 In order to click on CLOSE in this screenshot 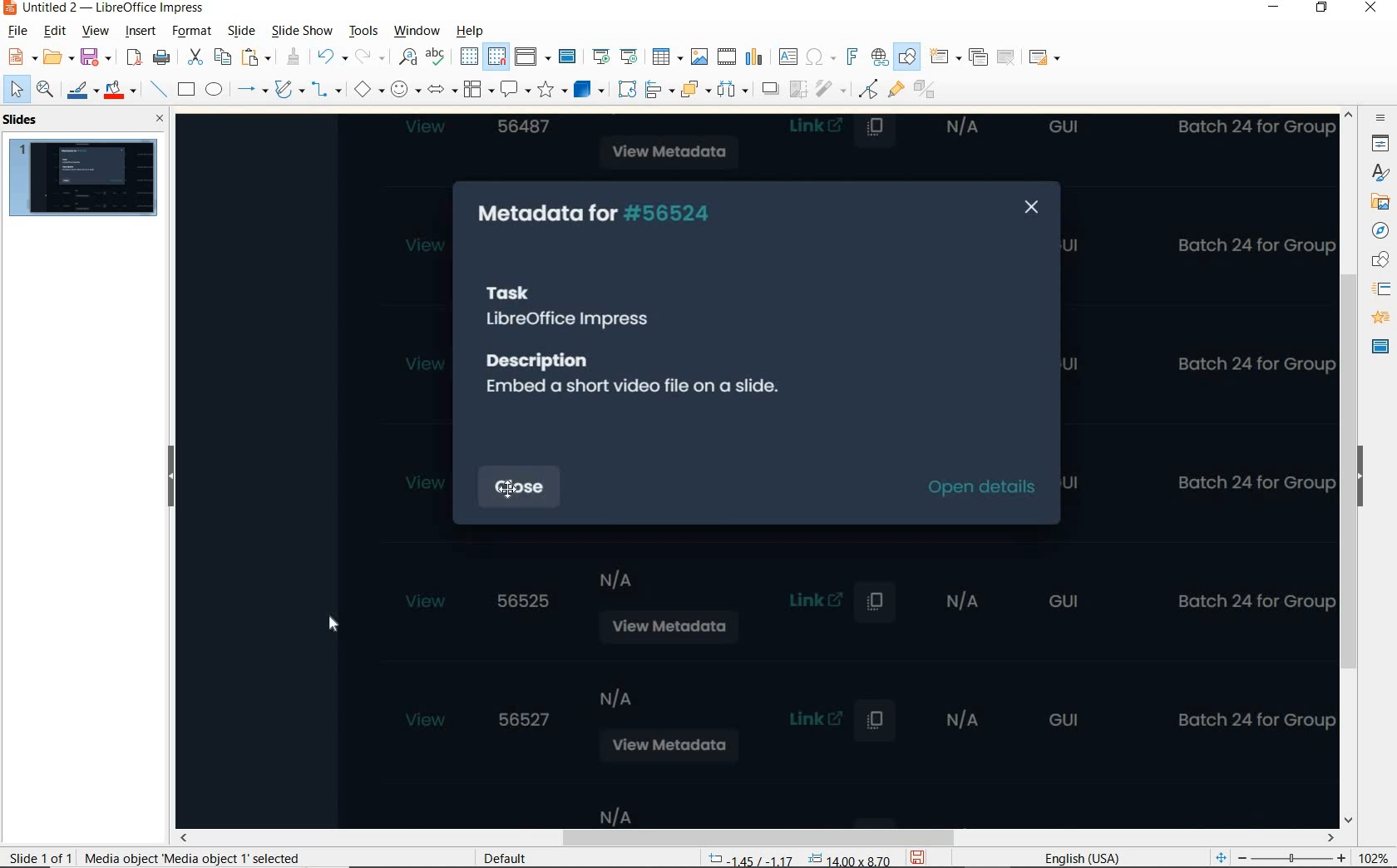, I will do `click(160, 119)`.